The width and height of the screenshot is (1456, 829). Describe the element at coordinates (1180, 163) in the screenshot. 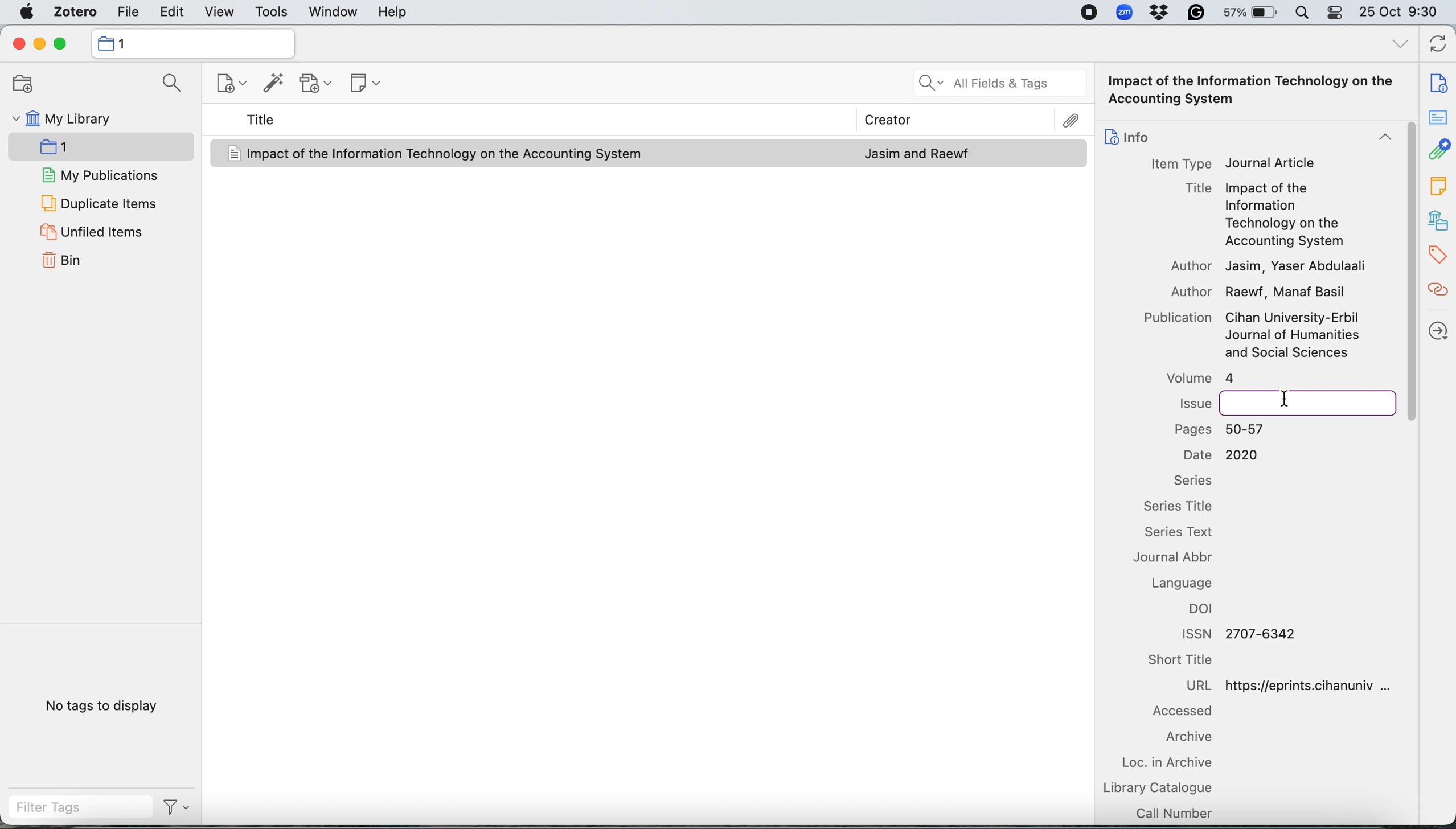

I see `item type ` at that location.